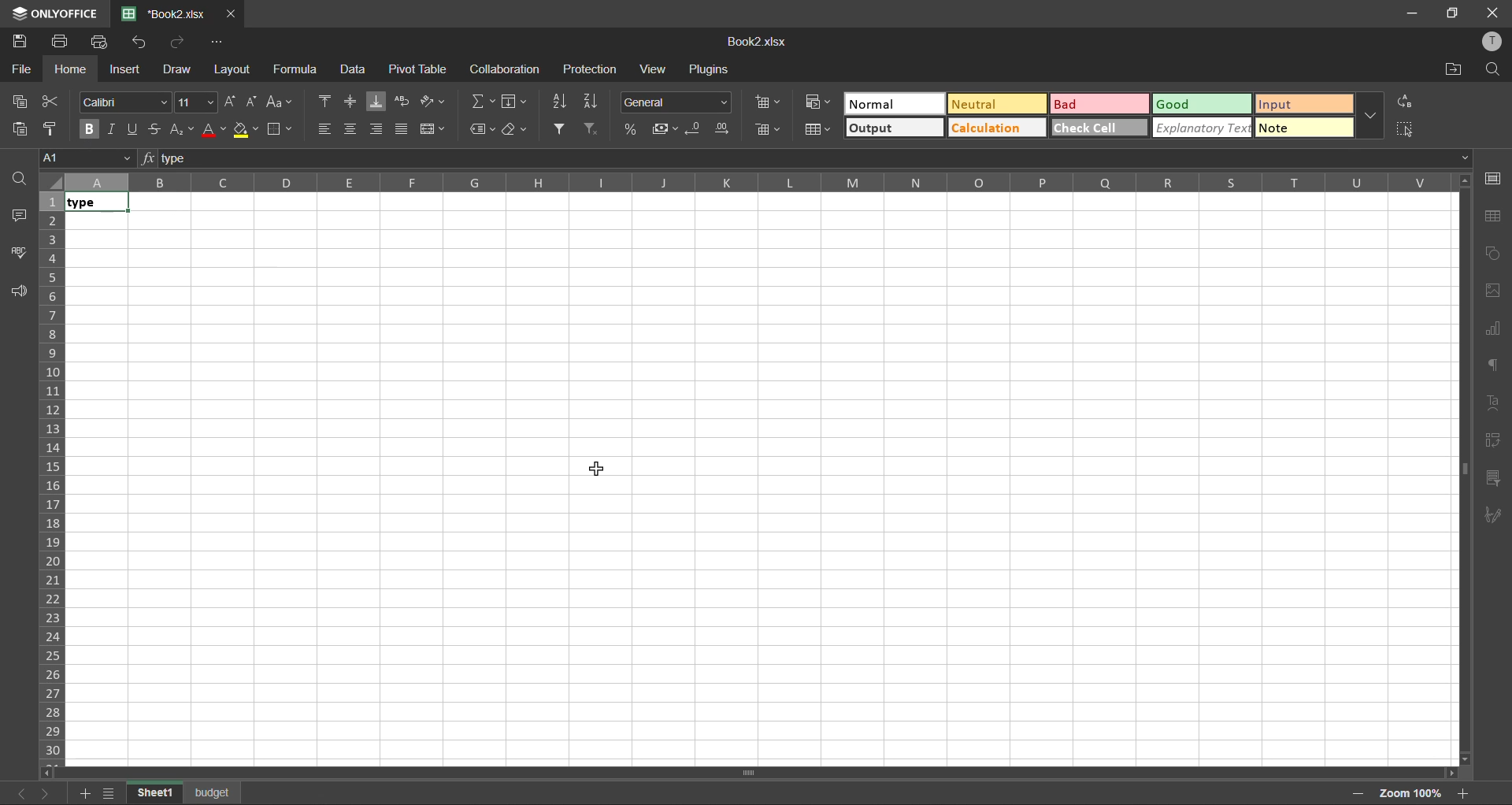  What do you see at coordinates (218, 43) in the screenshot?
I see `customize quick access toolbar` at bounding box center [218, 43].